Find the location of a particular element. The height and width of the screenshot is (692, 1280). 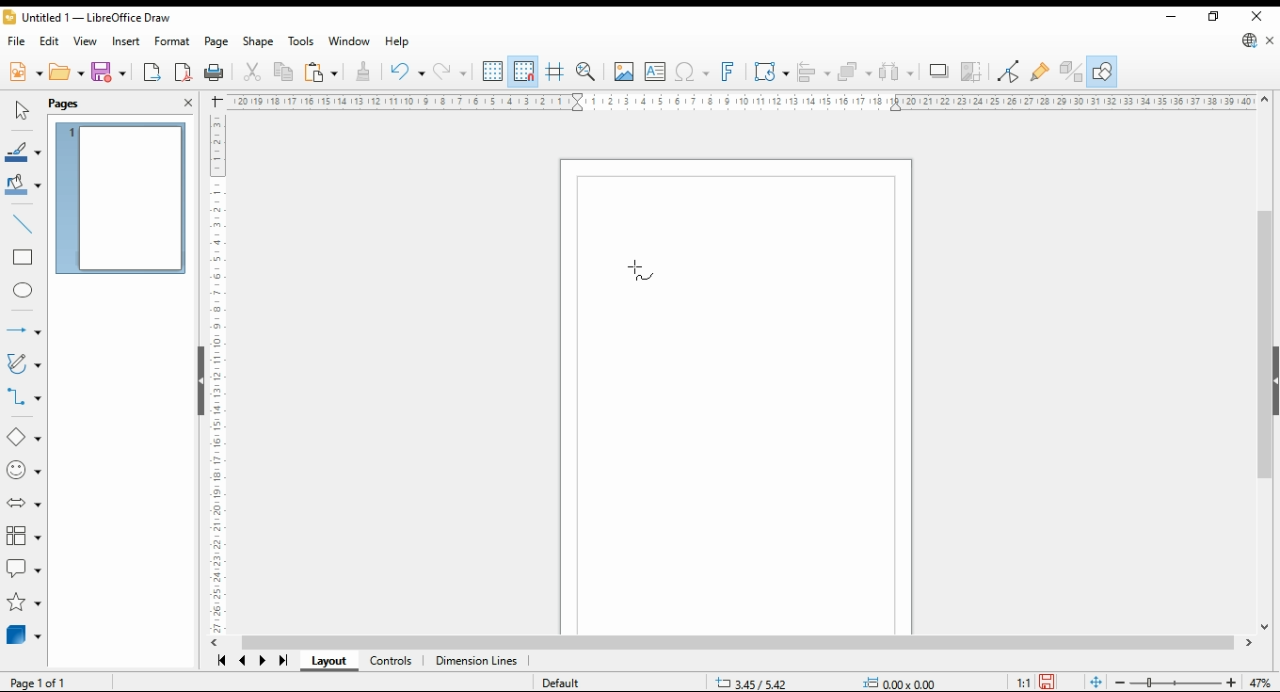

window is located at coordinates (349, 41).